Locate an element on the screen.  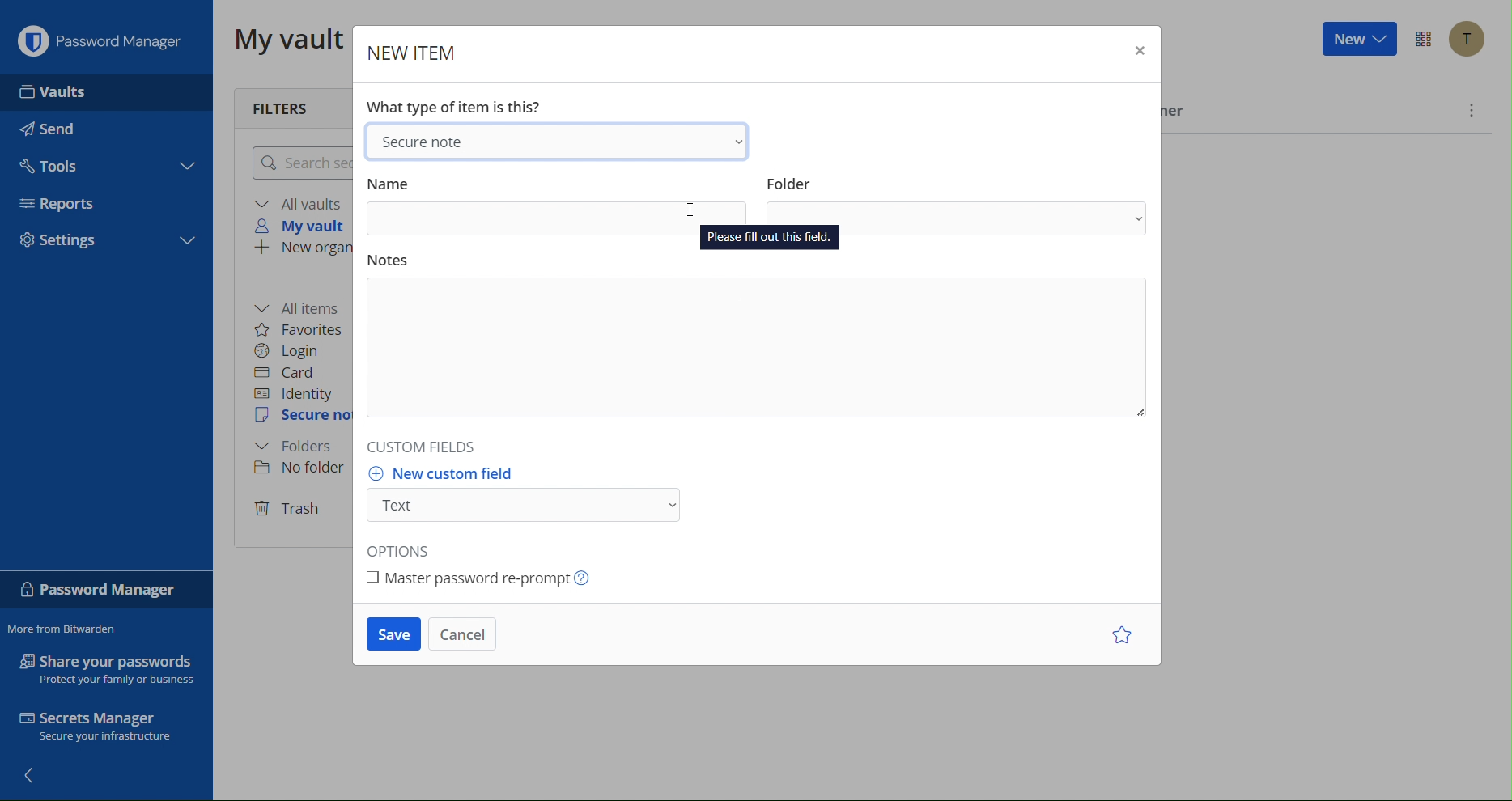
New Item is located at coordinates (410, 48).